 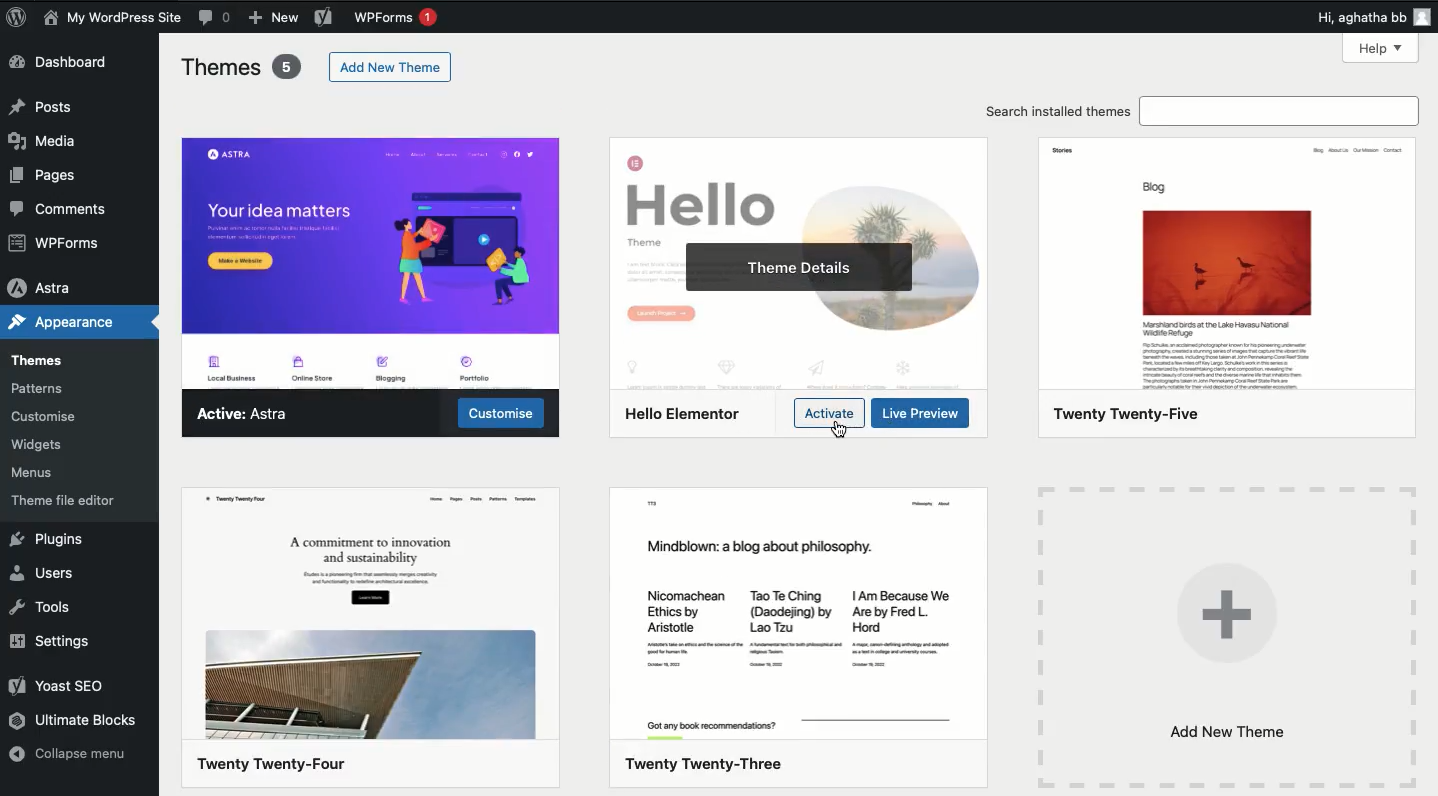 What do you see at coordinates (42, 284) in the screenshot?
I see `Astra` at bounding box center [42, 284].